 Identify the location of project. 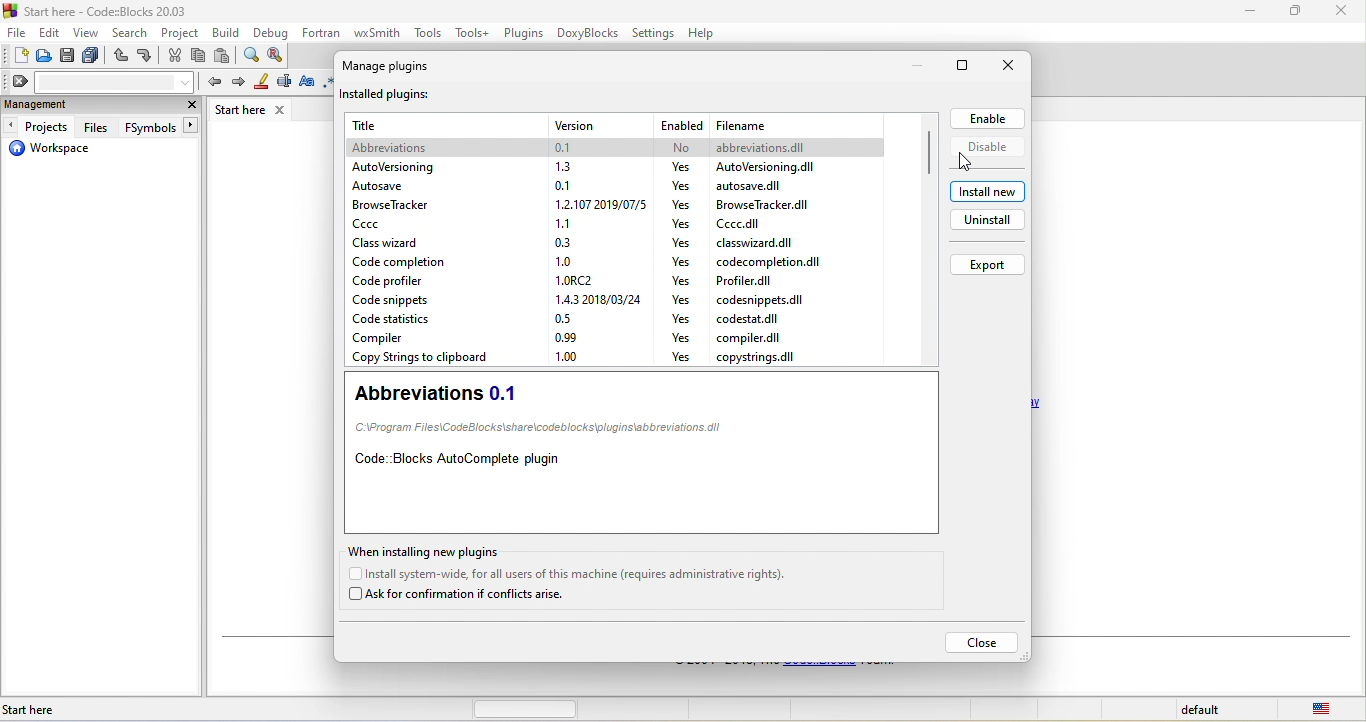
(175, 31).